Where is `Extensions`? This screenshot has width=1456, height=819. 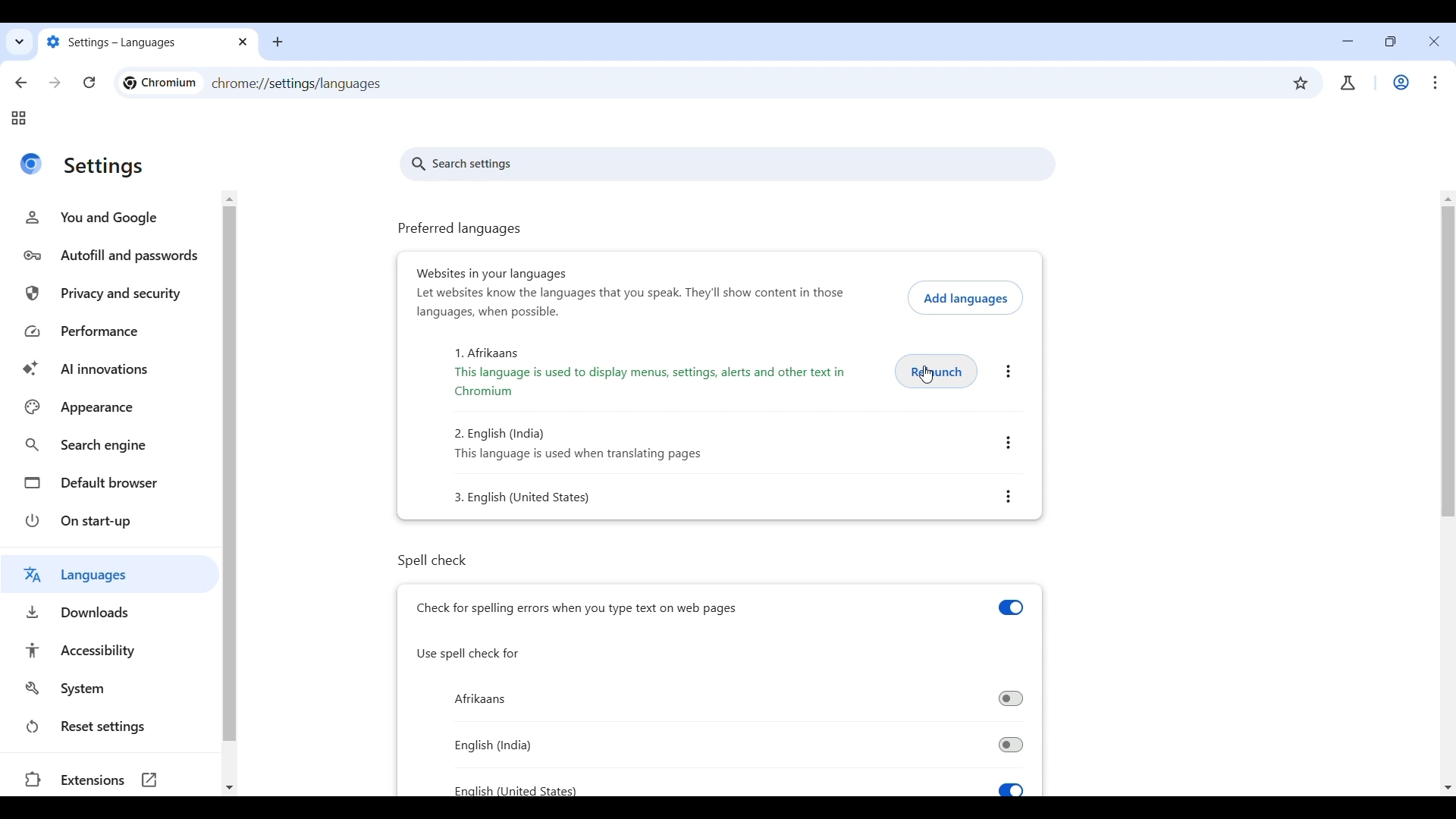
Extensions is located at coordinates (108, 780).